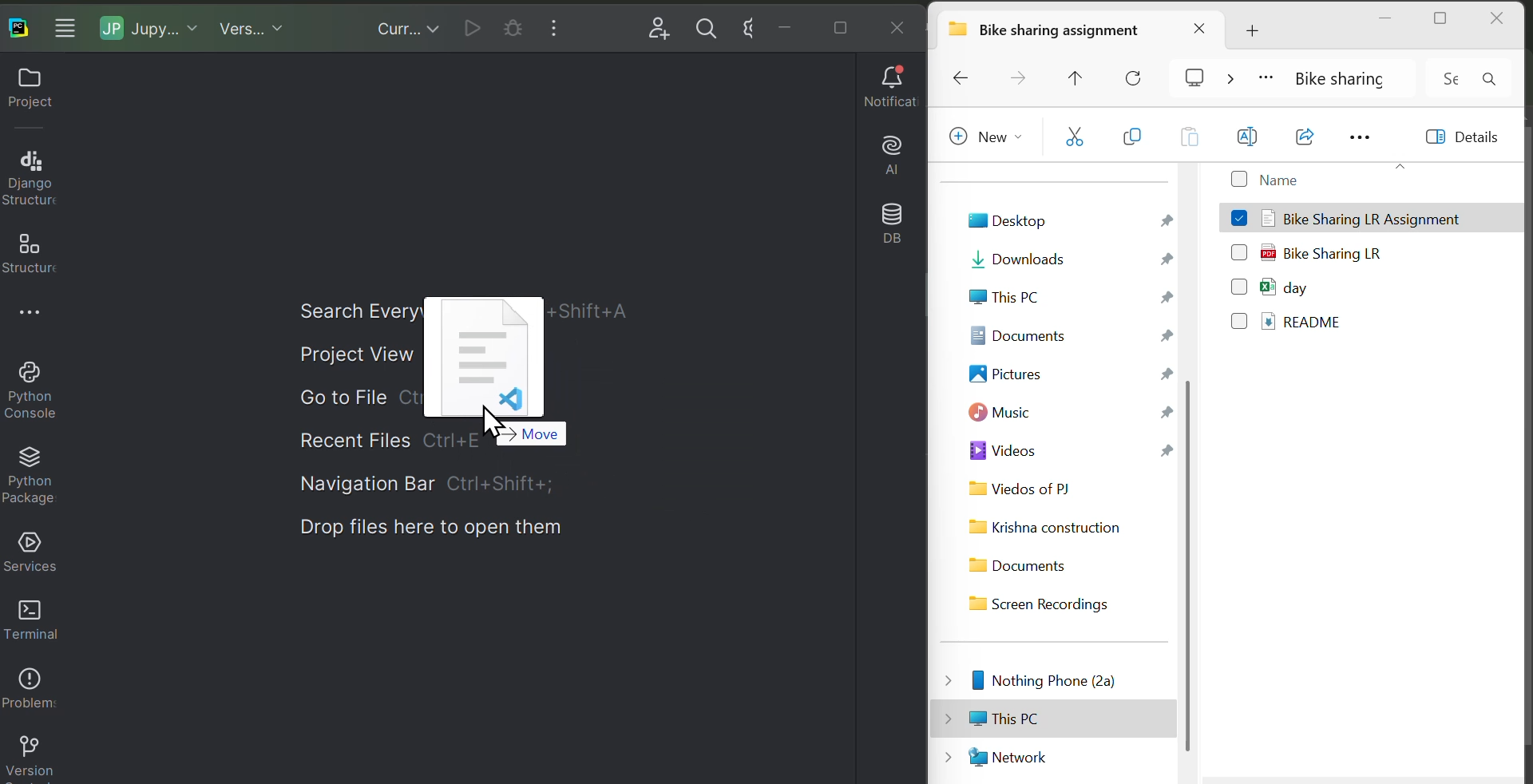 The height and width of the screenshot is (784, 1533). I want to click on Services, so click(33, 550).